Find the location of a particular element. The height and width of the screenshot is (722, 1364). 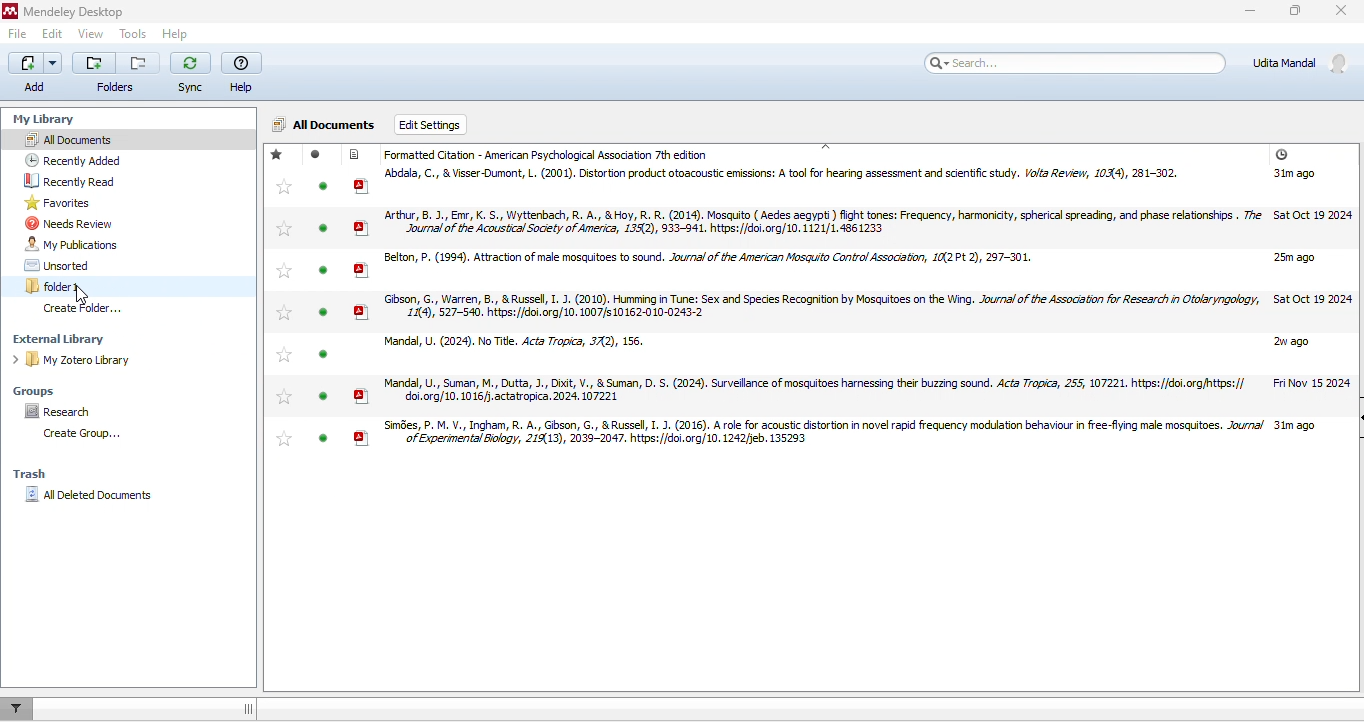

research articles is located at coordinates (851, 222).